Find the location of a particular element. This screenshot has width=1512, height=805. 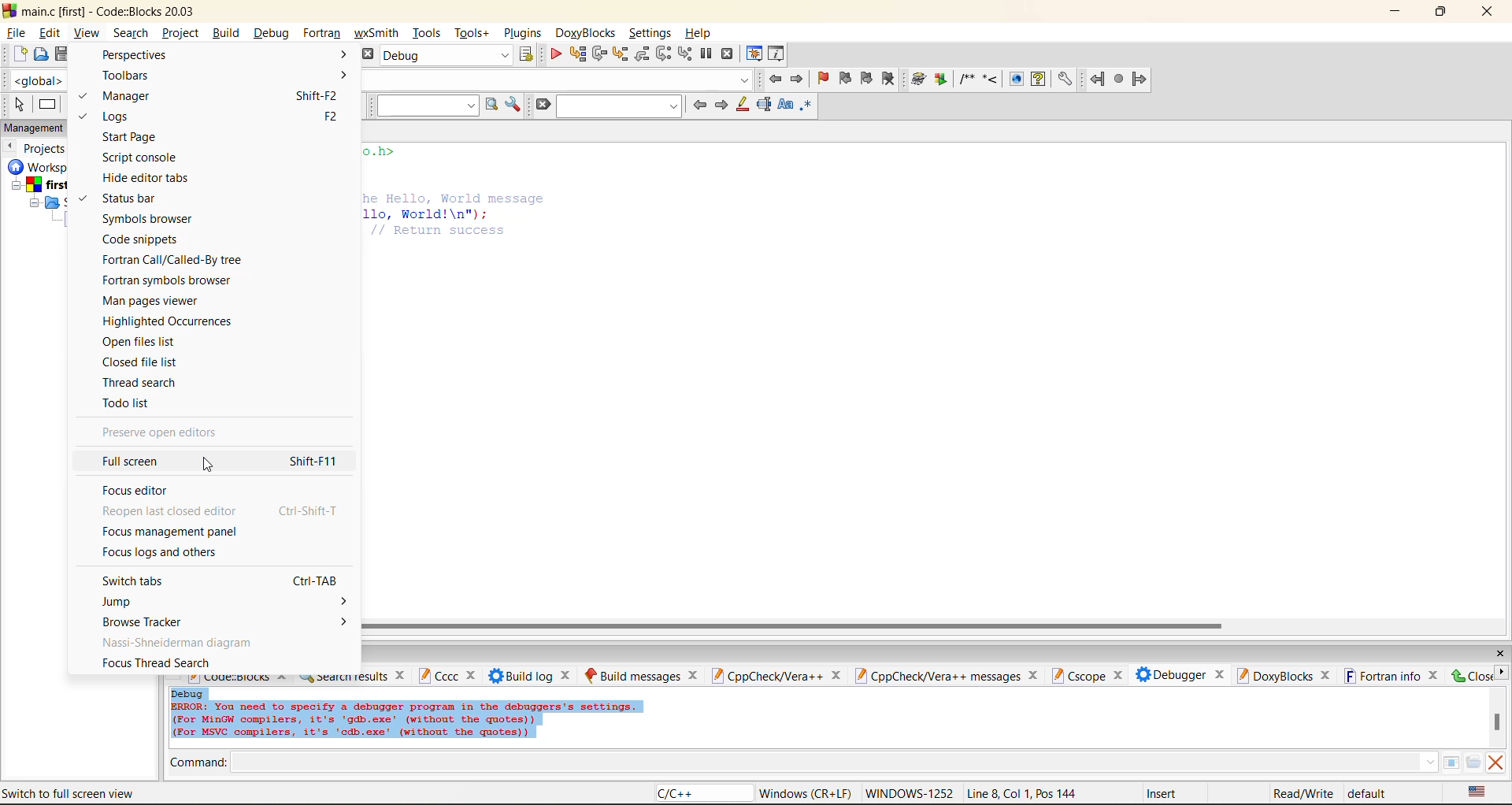

switch tabs is located at coordinates (222, 581).